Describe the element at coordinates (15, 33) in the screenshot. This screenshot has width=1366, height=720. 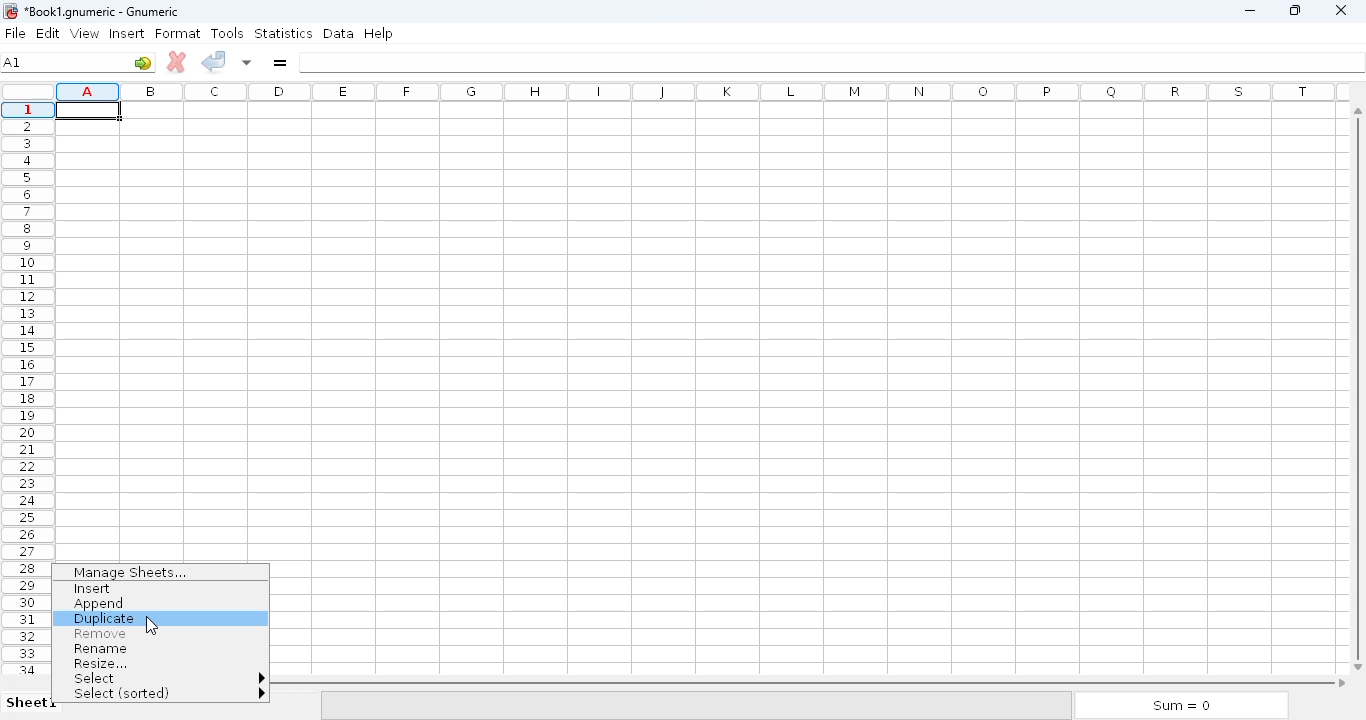
I see `file` at that location.